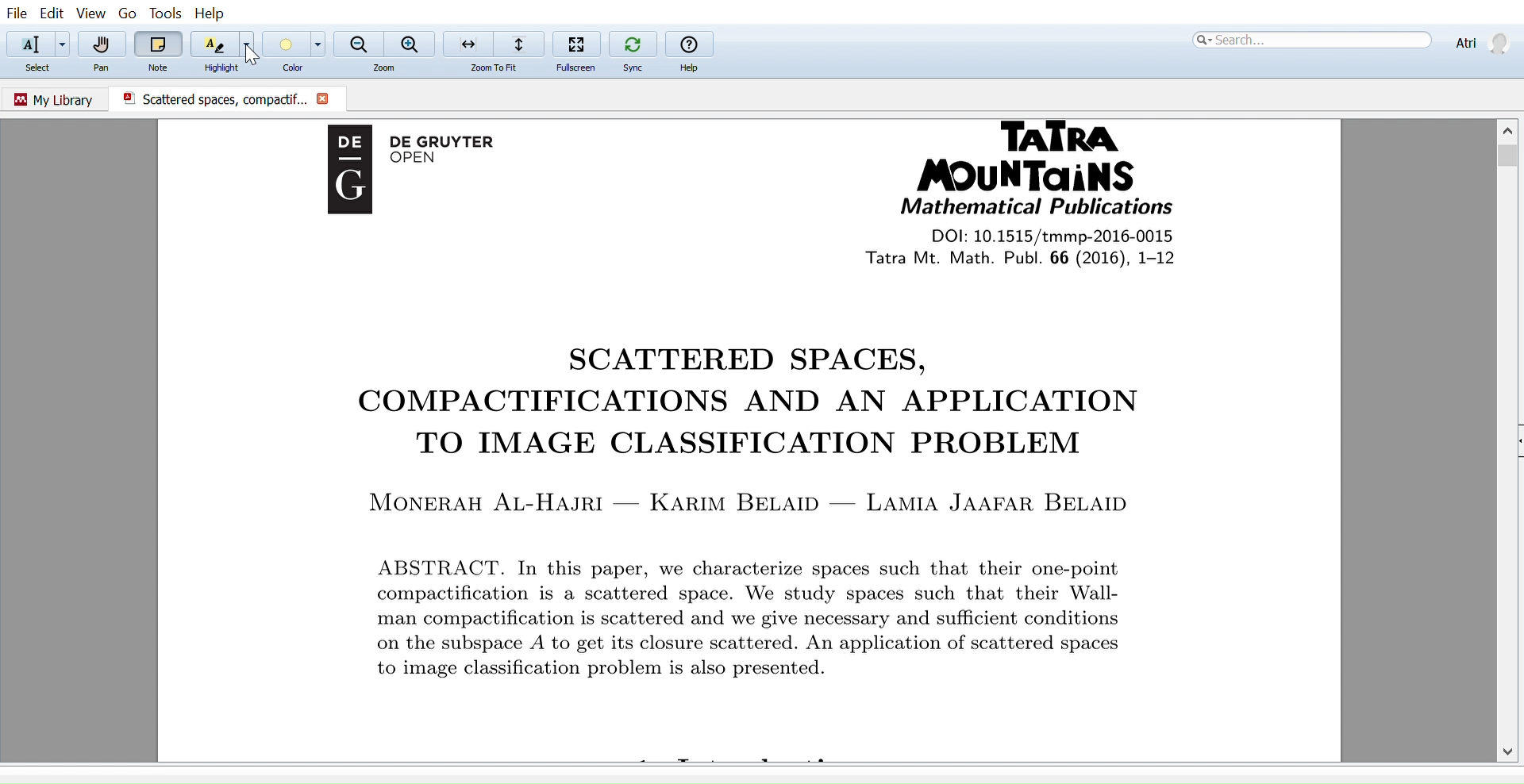 This screenshot has height=784, width=1524. Describe the element at coordinates (1054, 258) in the screenshot. I see `tatra Mt. Math Publi. 66 (2016), 1-12 ` at that location.